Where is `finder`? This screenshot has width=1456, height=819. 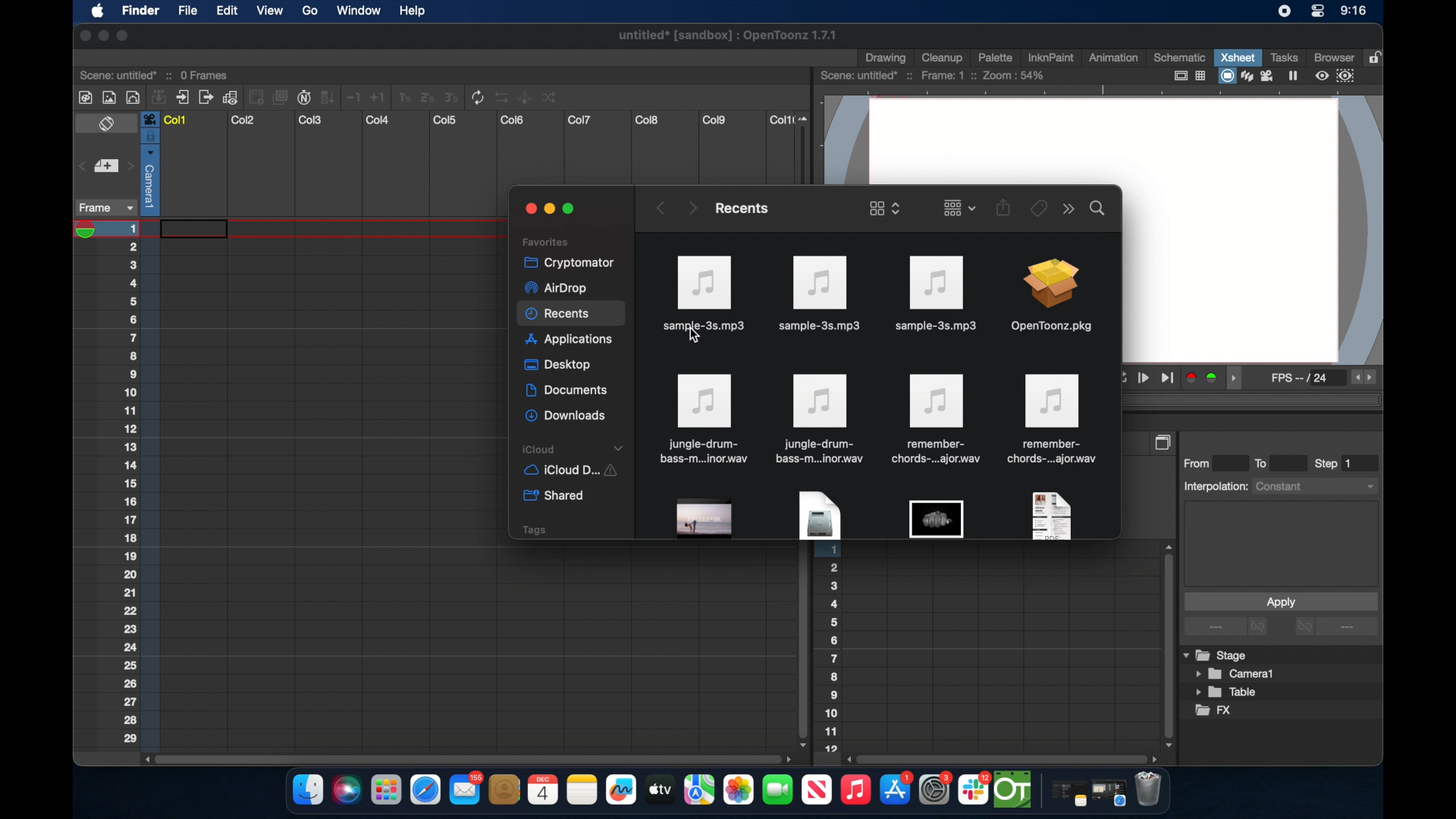
finder is located at coordinates (308, 790).